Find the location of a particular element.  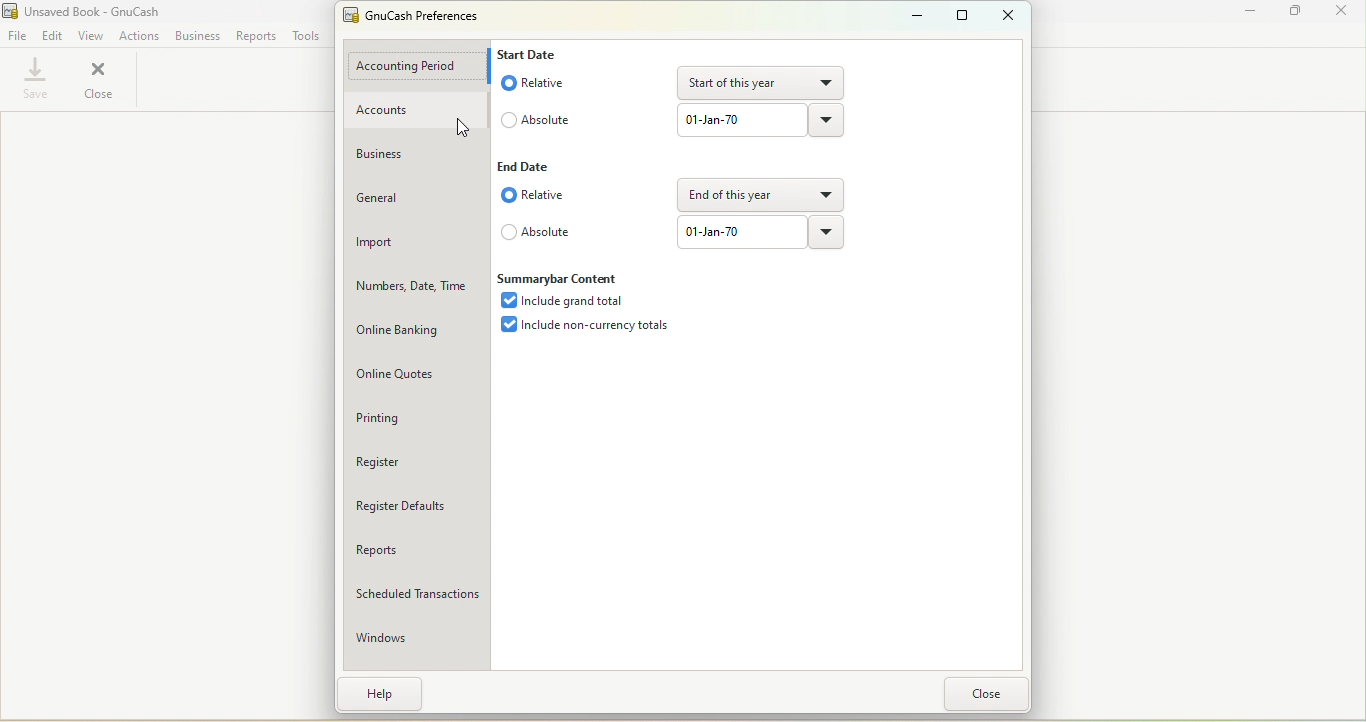

Drop down is located at coordinates (825, 119).